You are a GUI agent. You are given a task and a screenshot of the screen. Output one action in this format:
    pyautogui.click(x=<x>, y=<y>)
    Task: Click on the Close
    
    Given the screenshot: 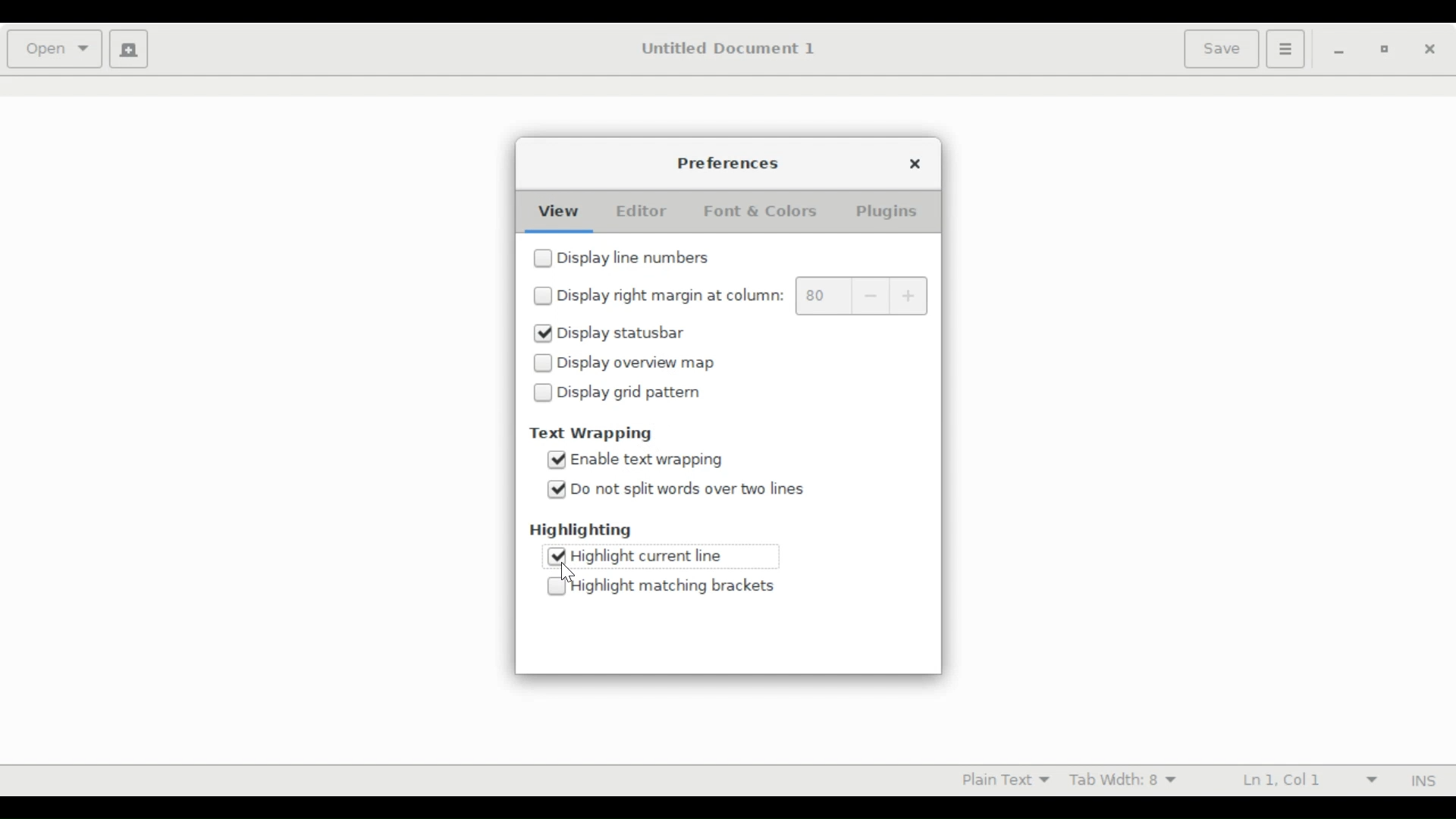 What is the action you would take?
    pyautogui.click(x=917, y=165)
    